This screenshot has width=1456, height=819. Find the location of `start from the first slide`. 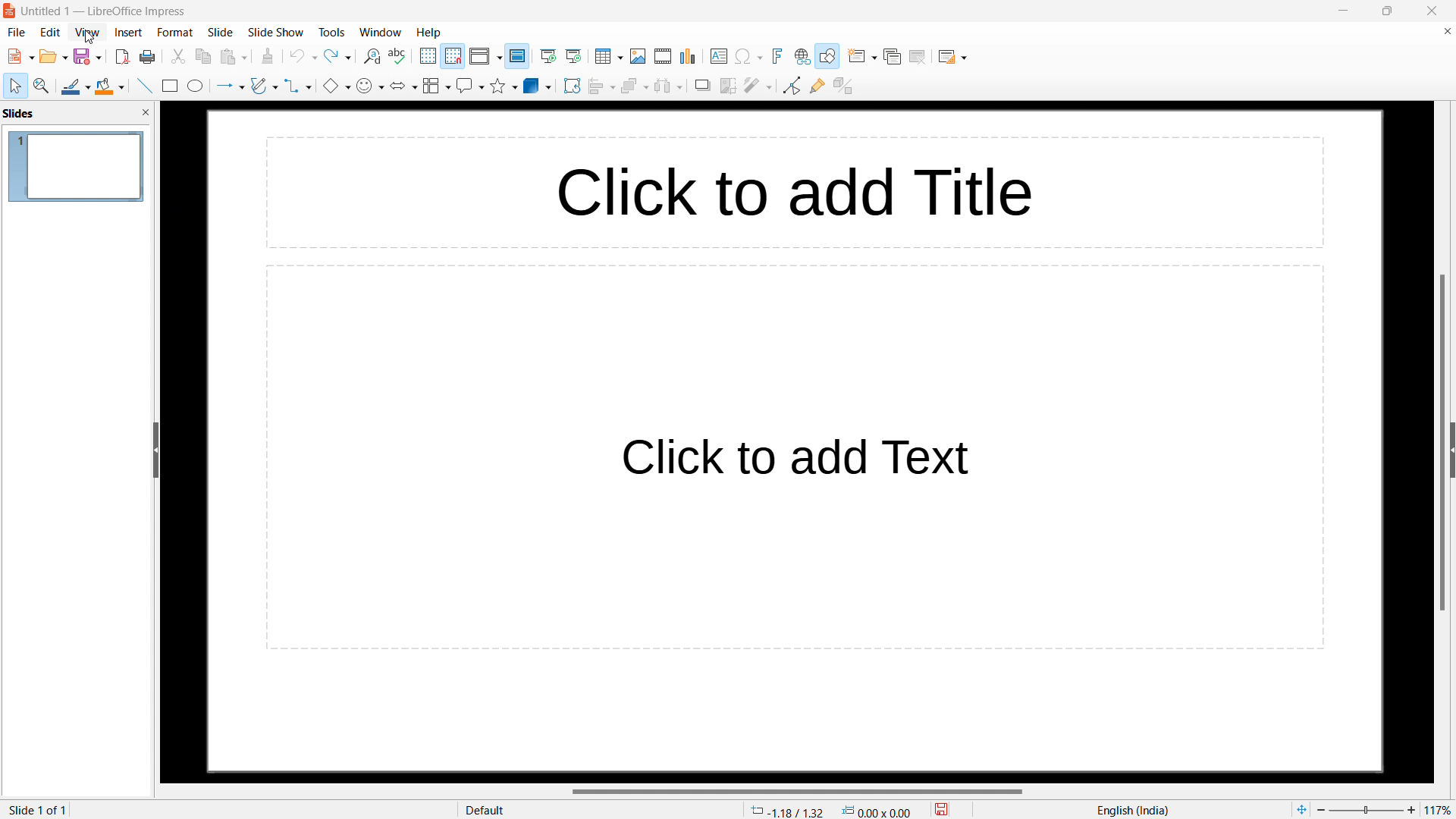

start from the first slide is located at coordinates (549, 57).